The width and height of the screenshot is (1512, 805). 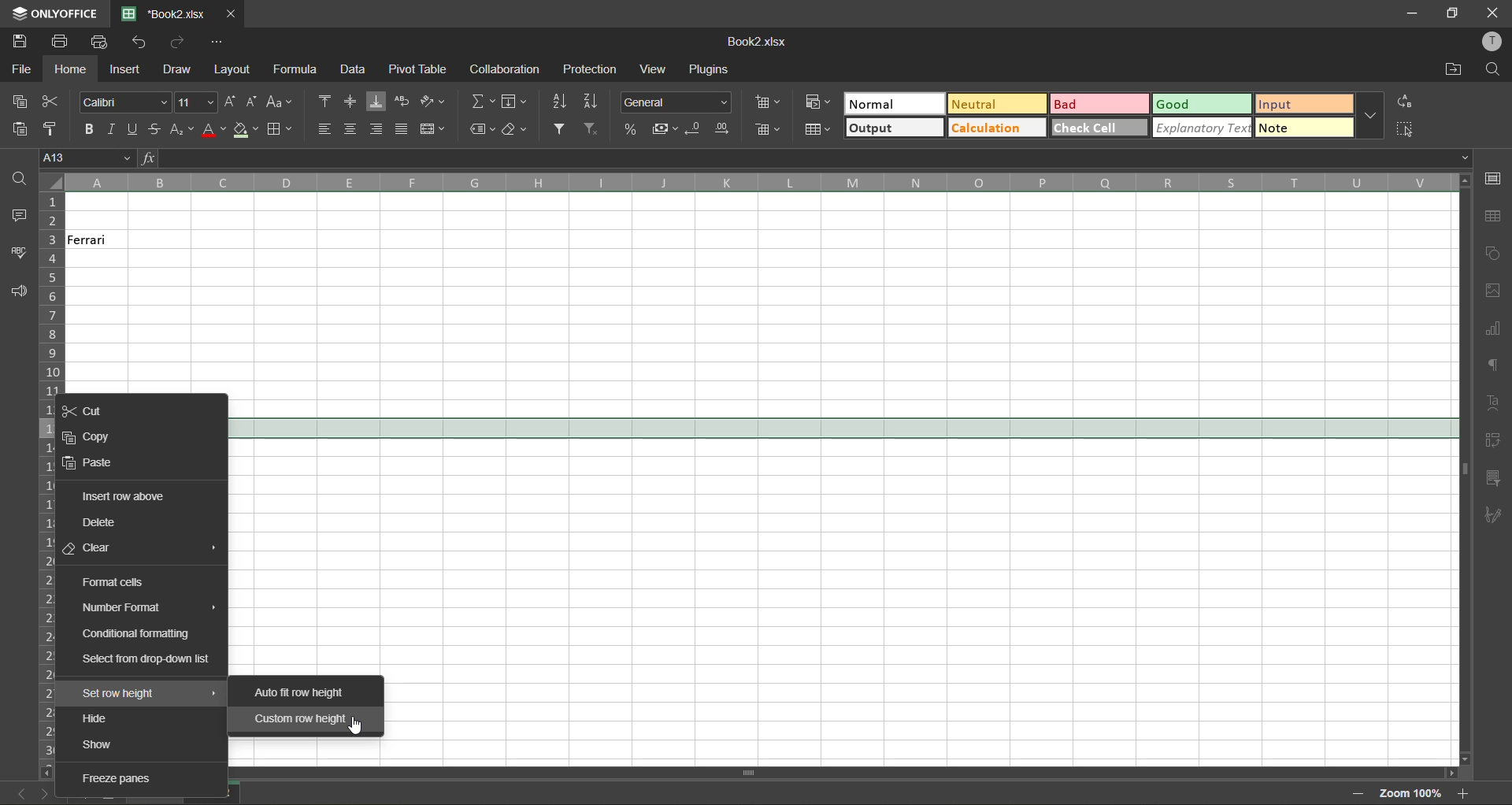 I want to click on change case, so click(x=281, y=103).